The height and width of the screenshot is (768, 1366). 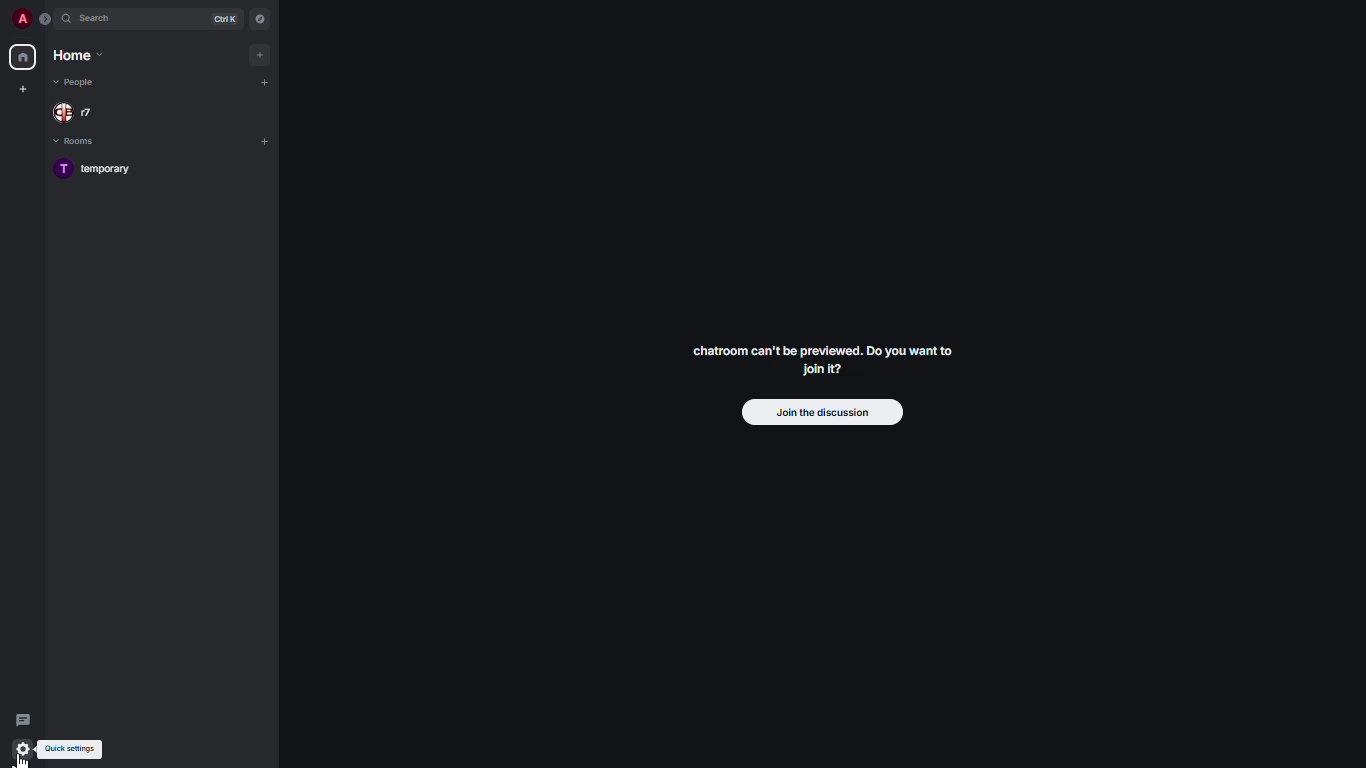 What do you see at coordinates (266, 81) in the screenshot?
I see `add` at bounding box center [266, 81].